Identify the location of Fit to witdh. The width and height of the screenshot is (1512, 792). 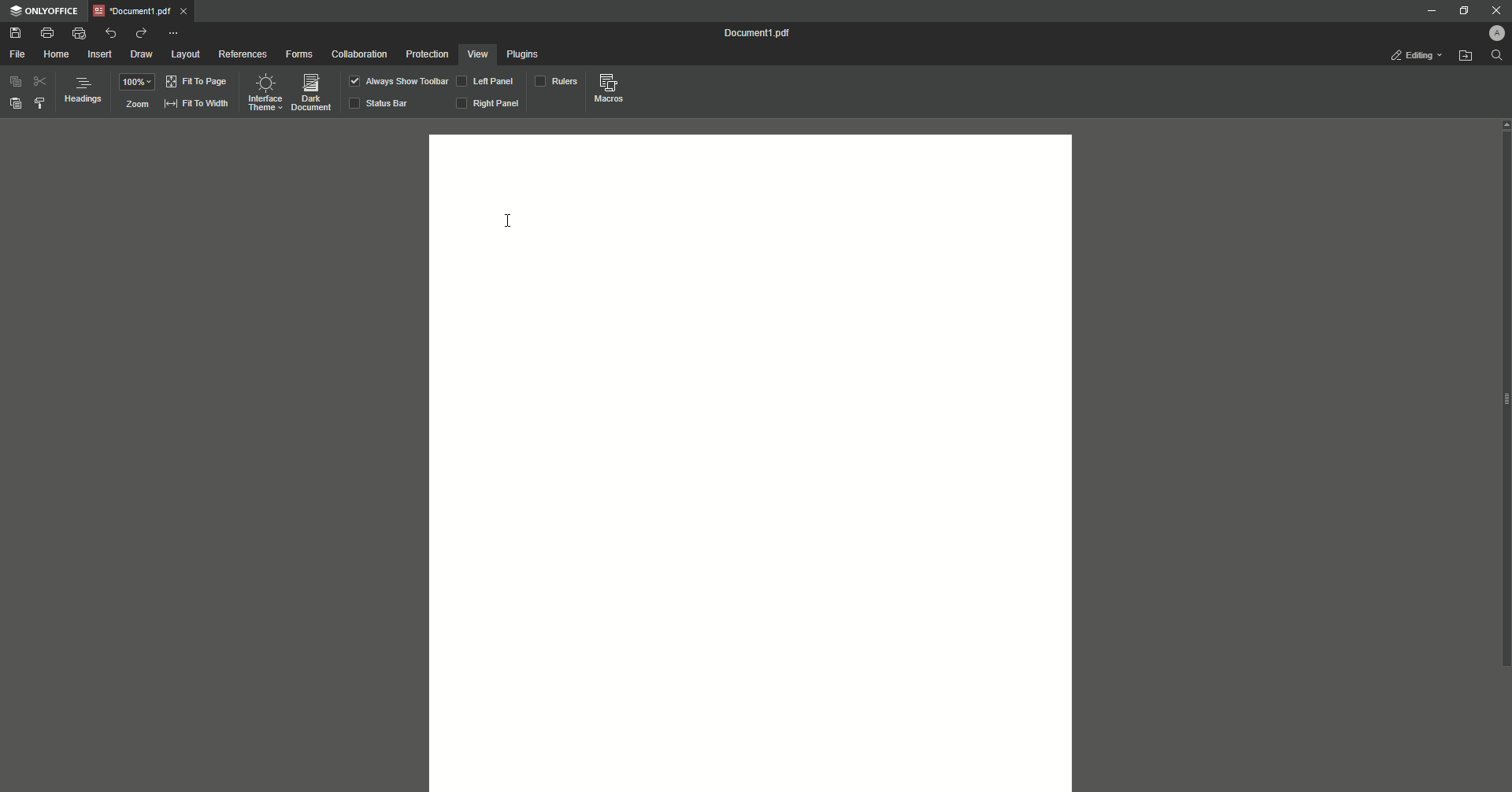
(197, 105).